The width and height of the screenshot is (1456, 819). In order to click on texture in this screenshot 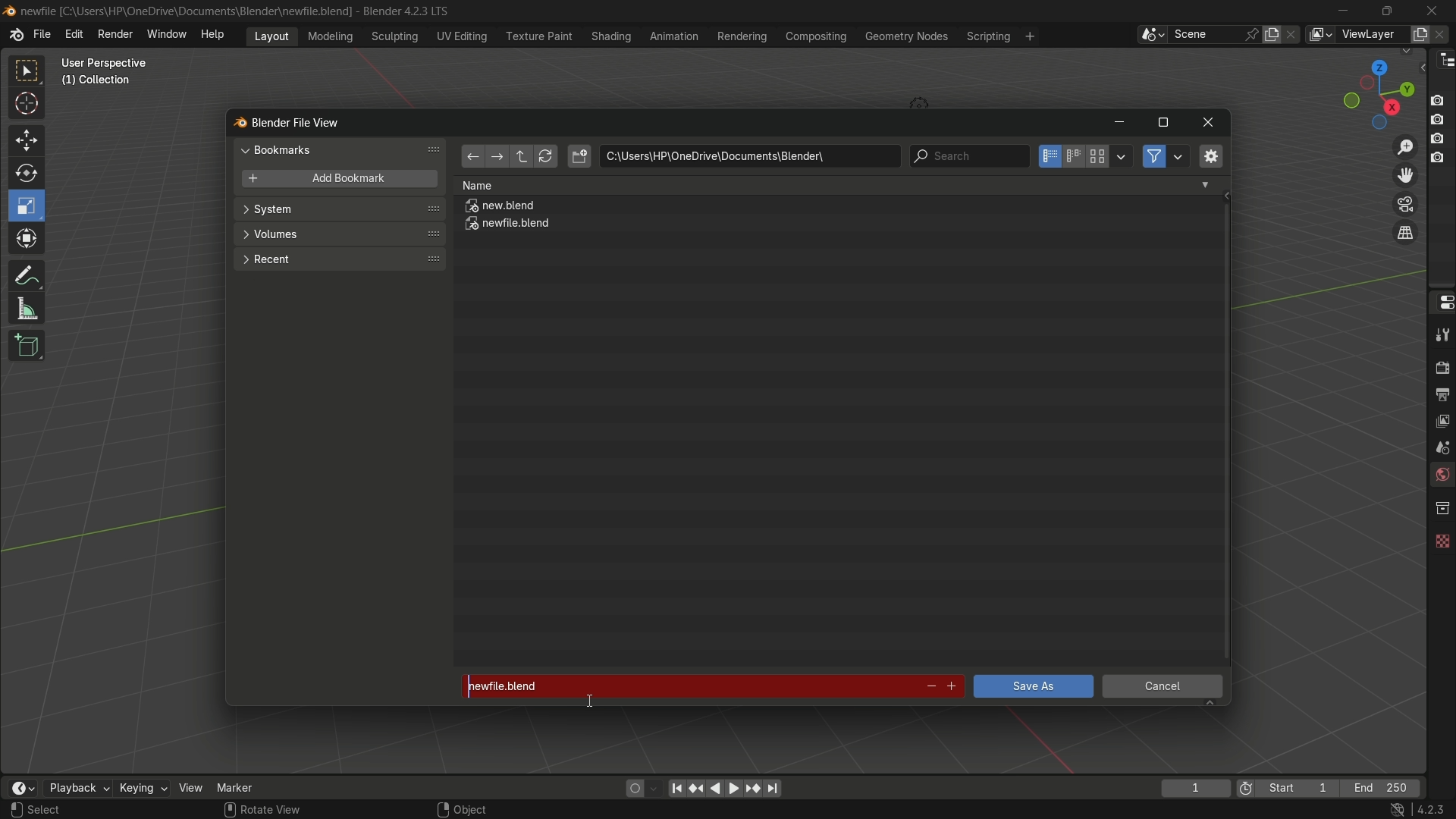, I will do `click(1441, 538)`.